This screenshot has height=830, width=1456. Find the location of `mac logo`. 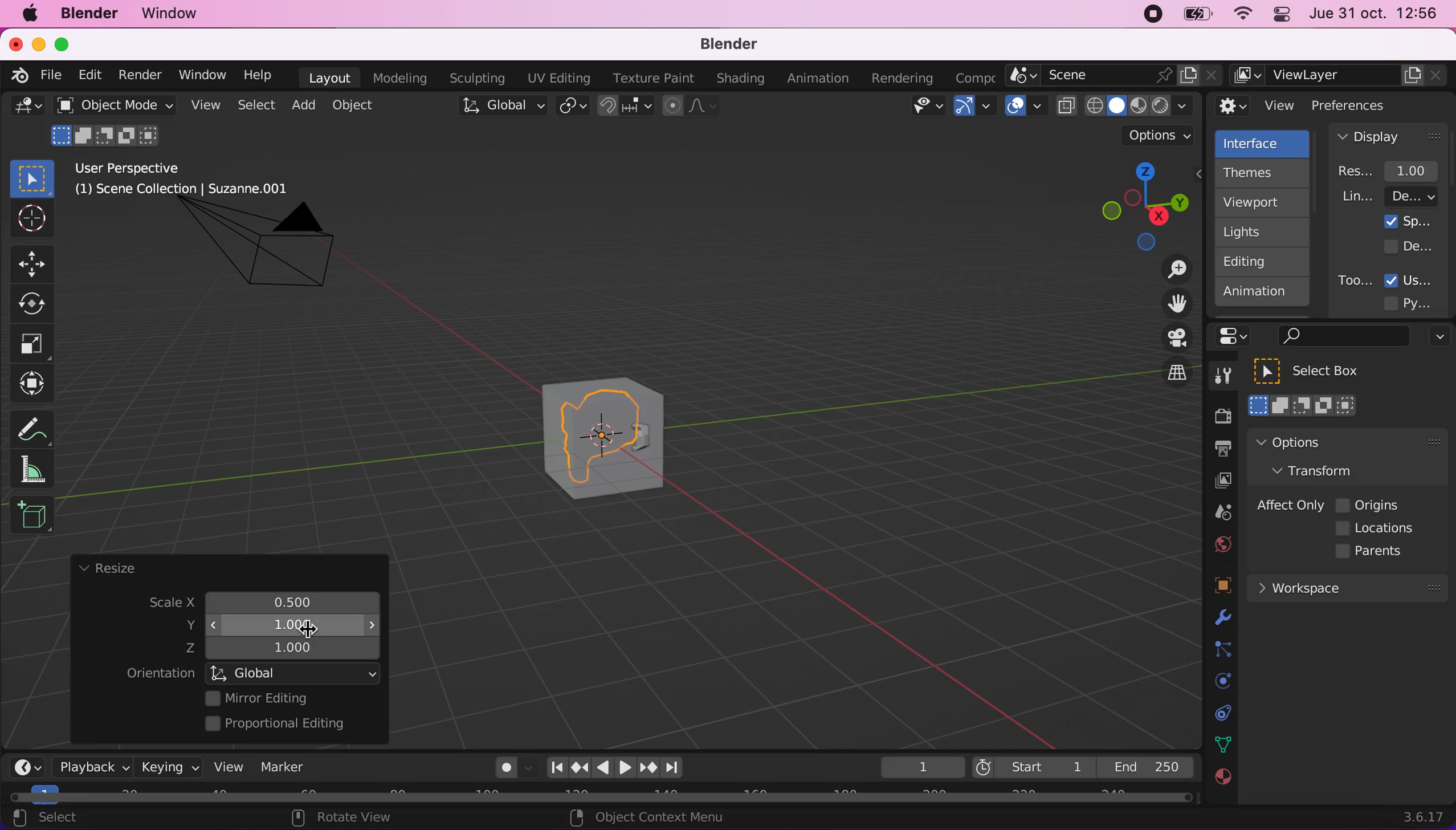

mac logo is located at coordinates (29, 15).